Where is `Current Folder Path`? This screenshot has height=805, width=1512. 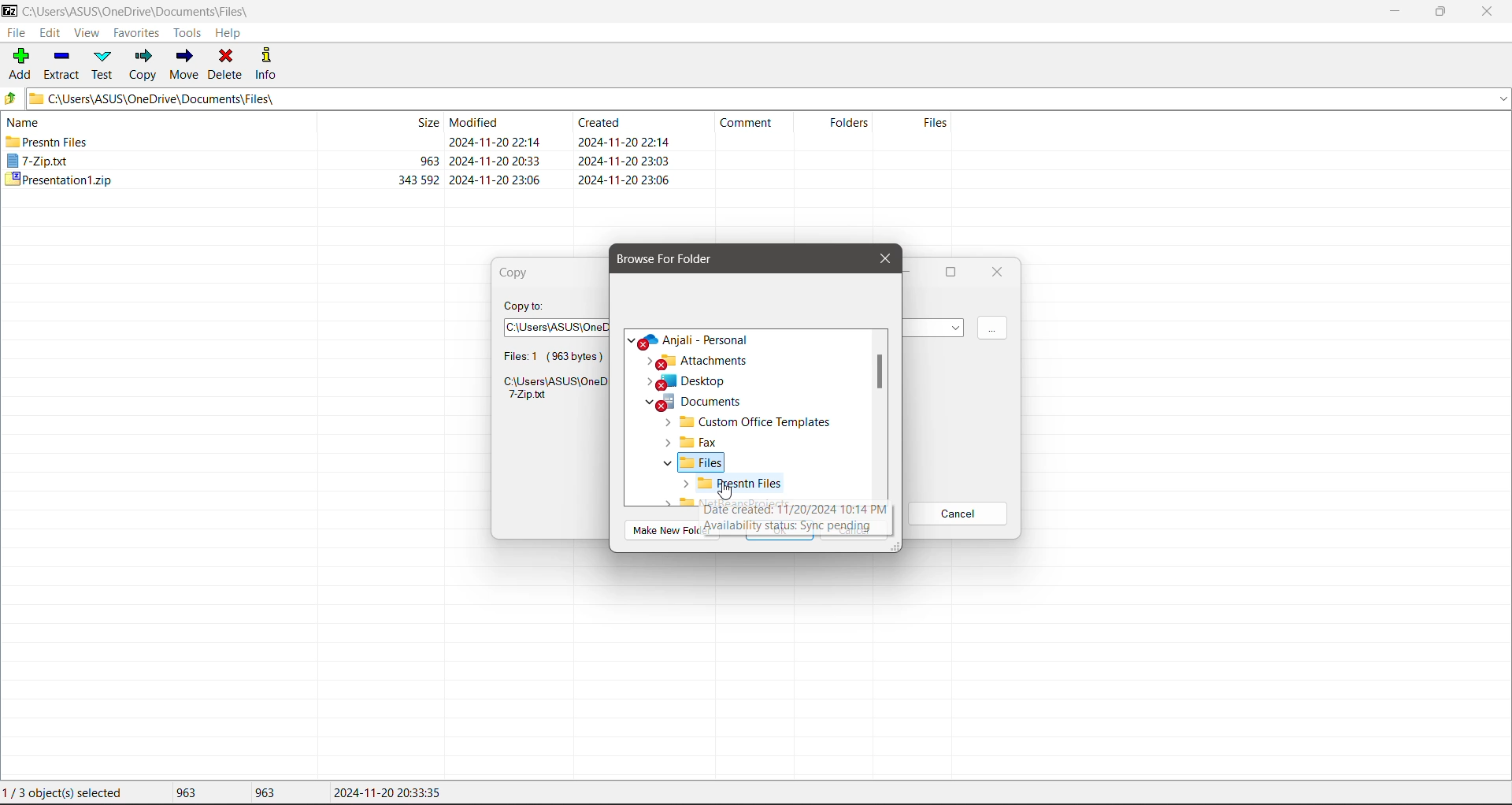 Current Folder Path is located at coordinates (767, 98).